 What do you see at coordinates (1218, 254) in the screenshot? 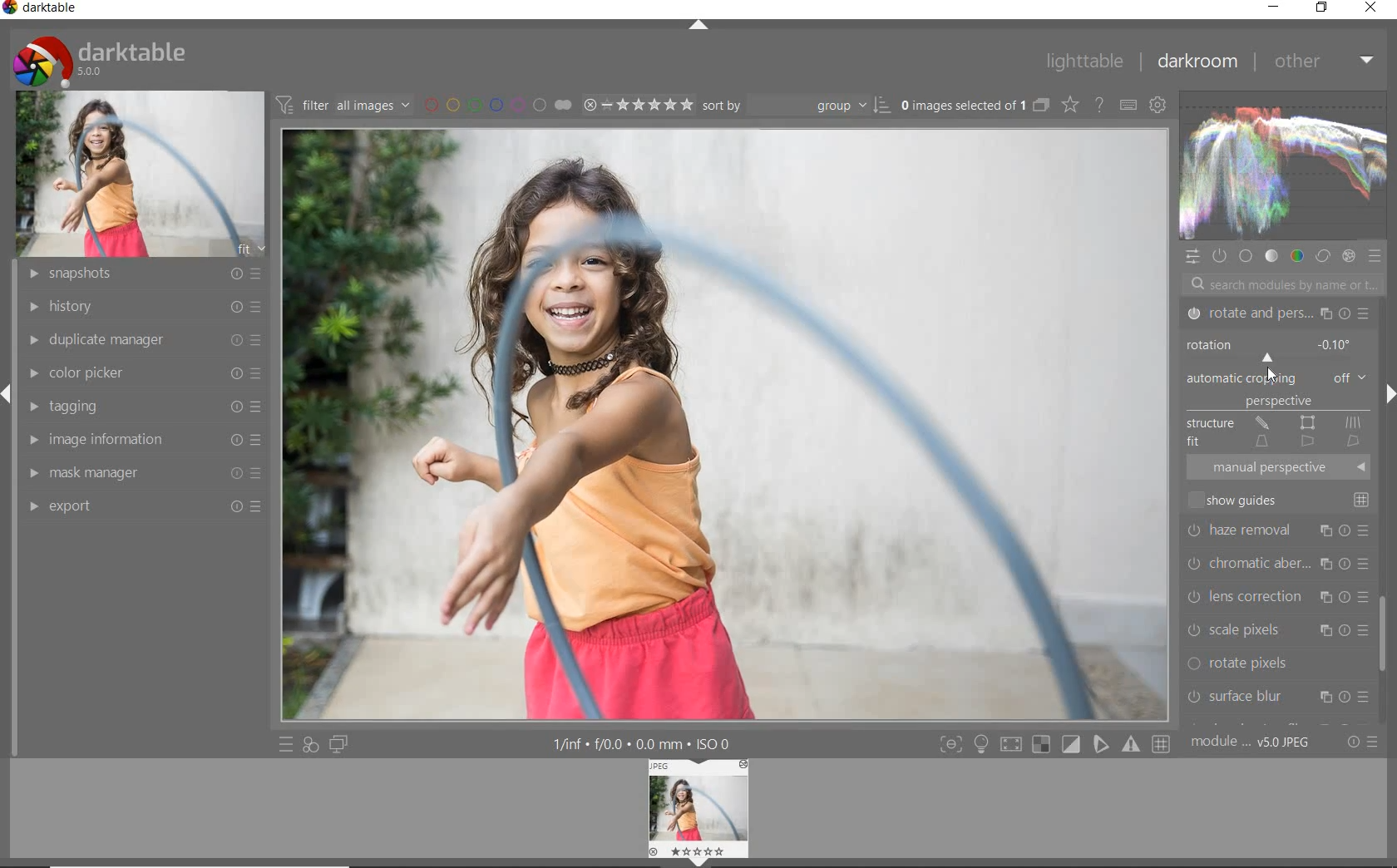
I see `show only active module` at bounding box center [1218, 254].